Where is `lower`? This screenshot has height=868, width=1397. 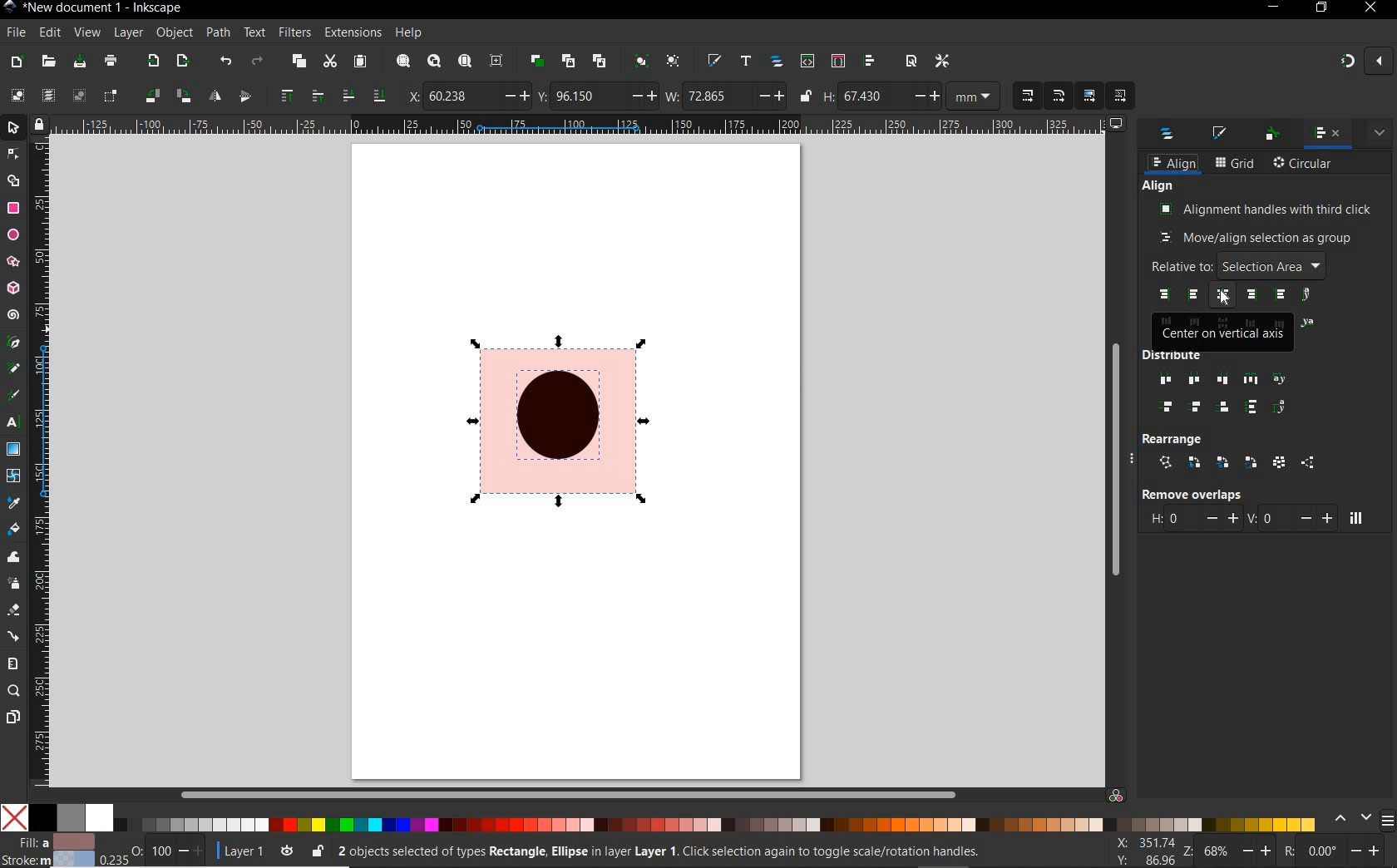 lower is located at coordinates (348, 96).